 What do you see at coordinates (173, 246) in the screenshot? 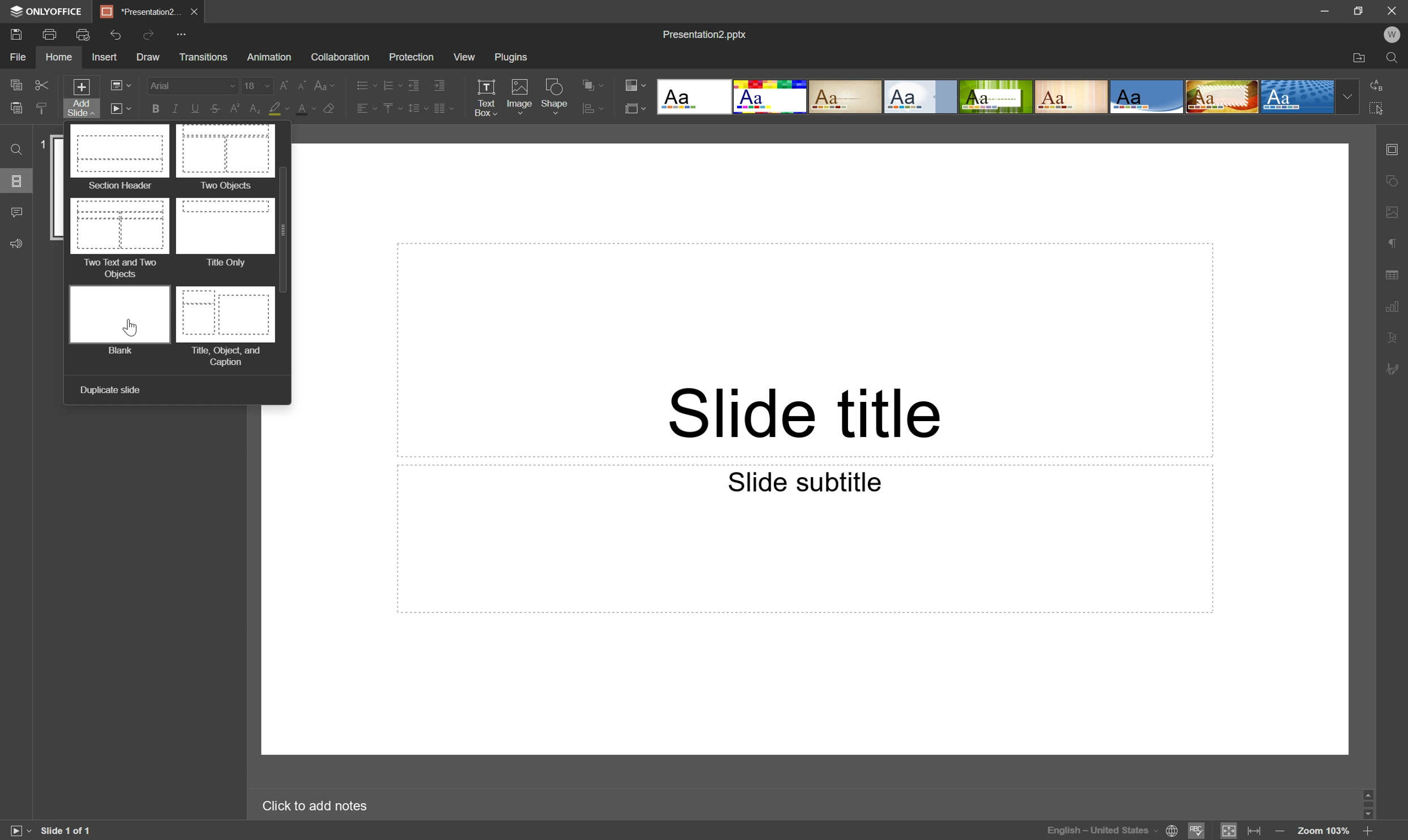
I see `Type of slides` at bounding box center [173, 246].